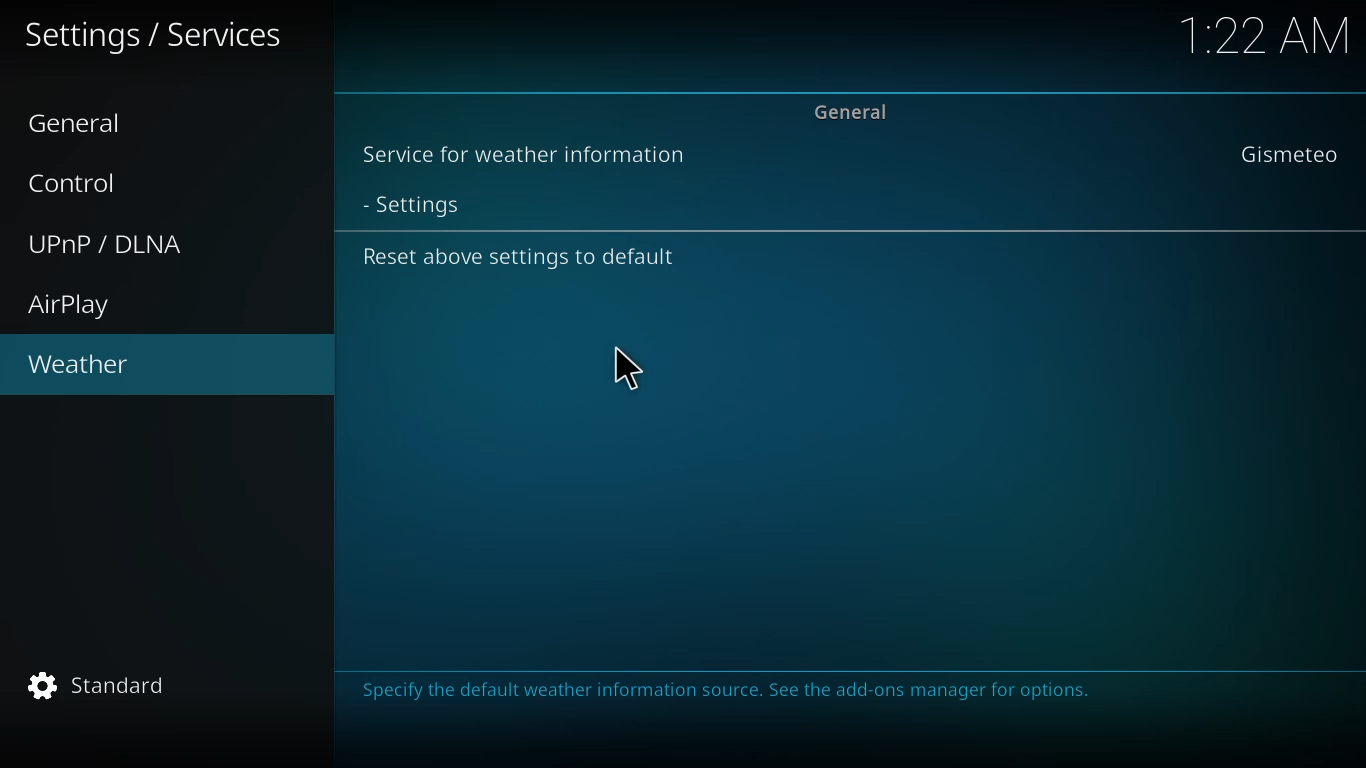  What do you see at coordinates (521, 257) in the screenshot?
I see `reset above settings` at bounding box center [521, 257].